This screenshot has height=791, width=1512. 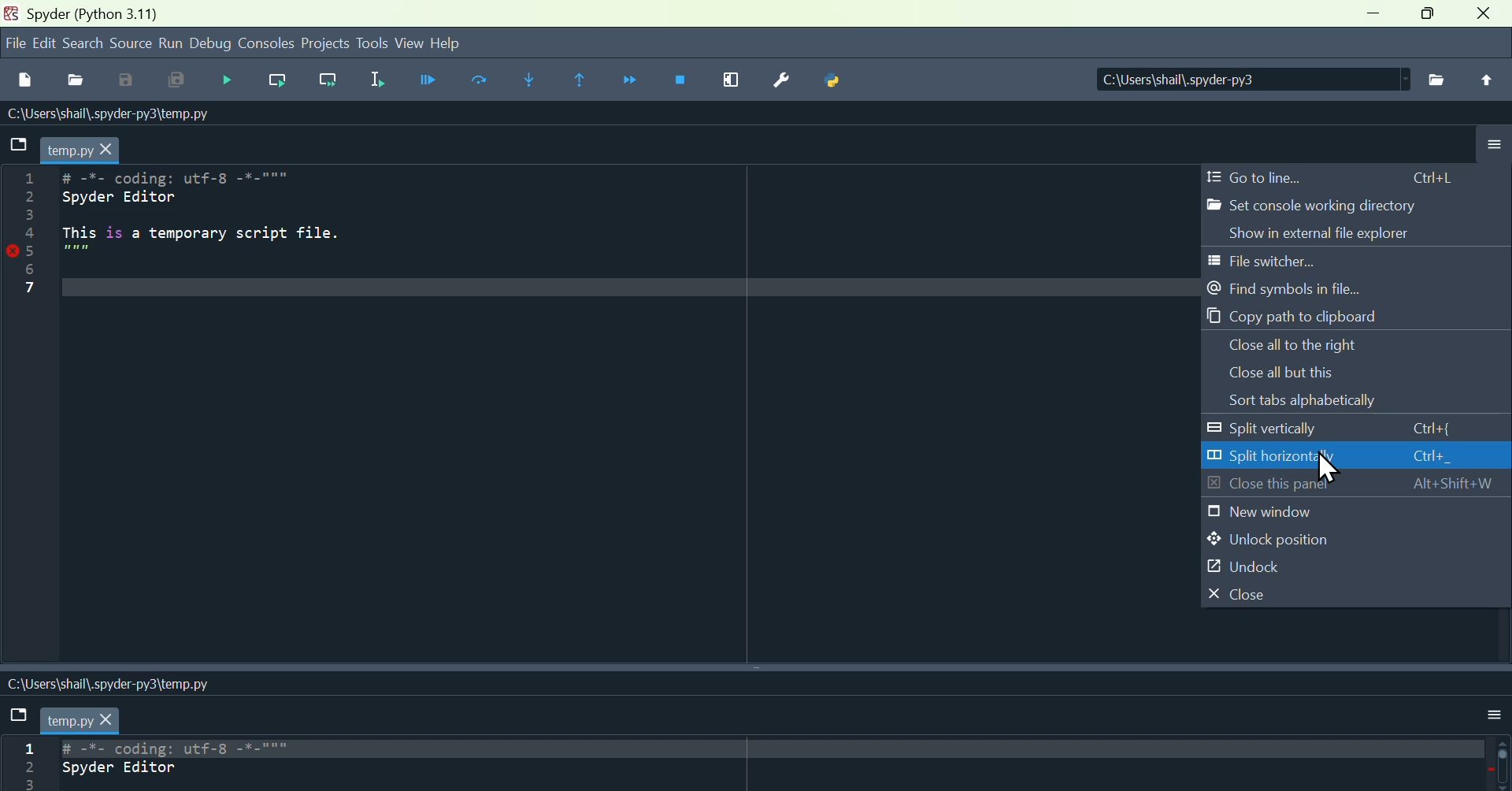 I want to click on run, so click(x=175, y=45).